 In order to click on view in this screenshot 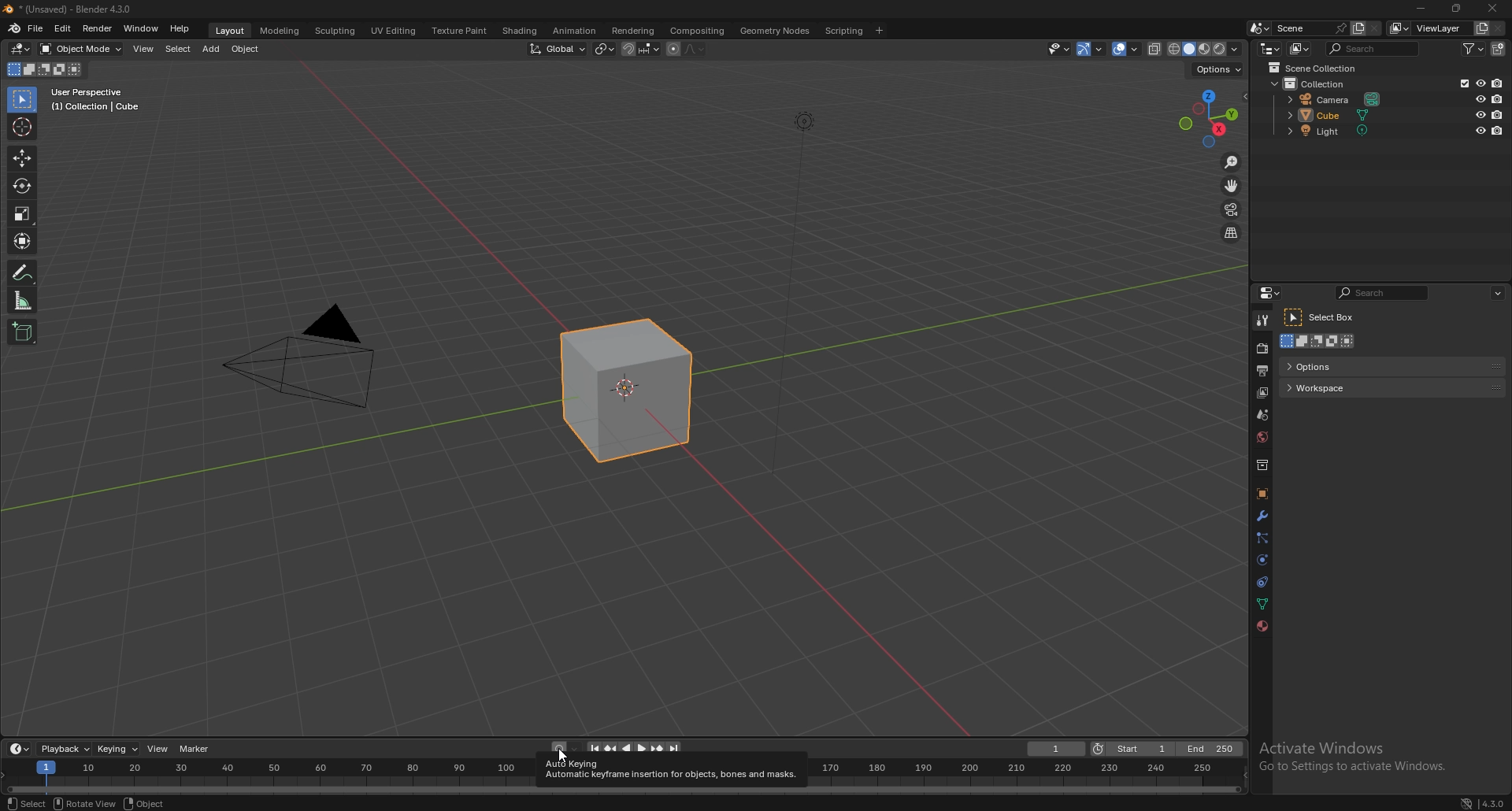, I will do `click(158, 749)`.